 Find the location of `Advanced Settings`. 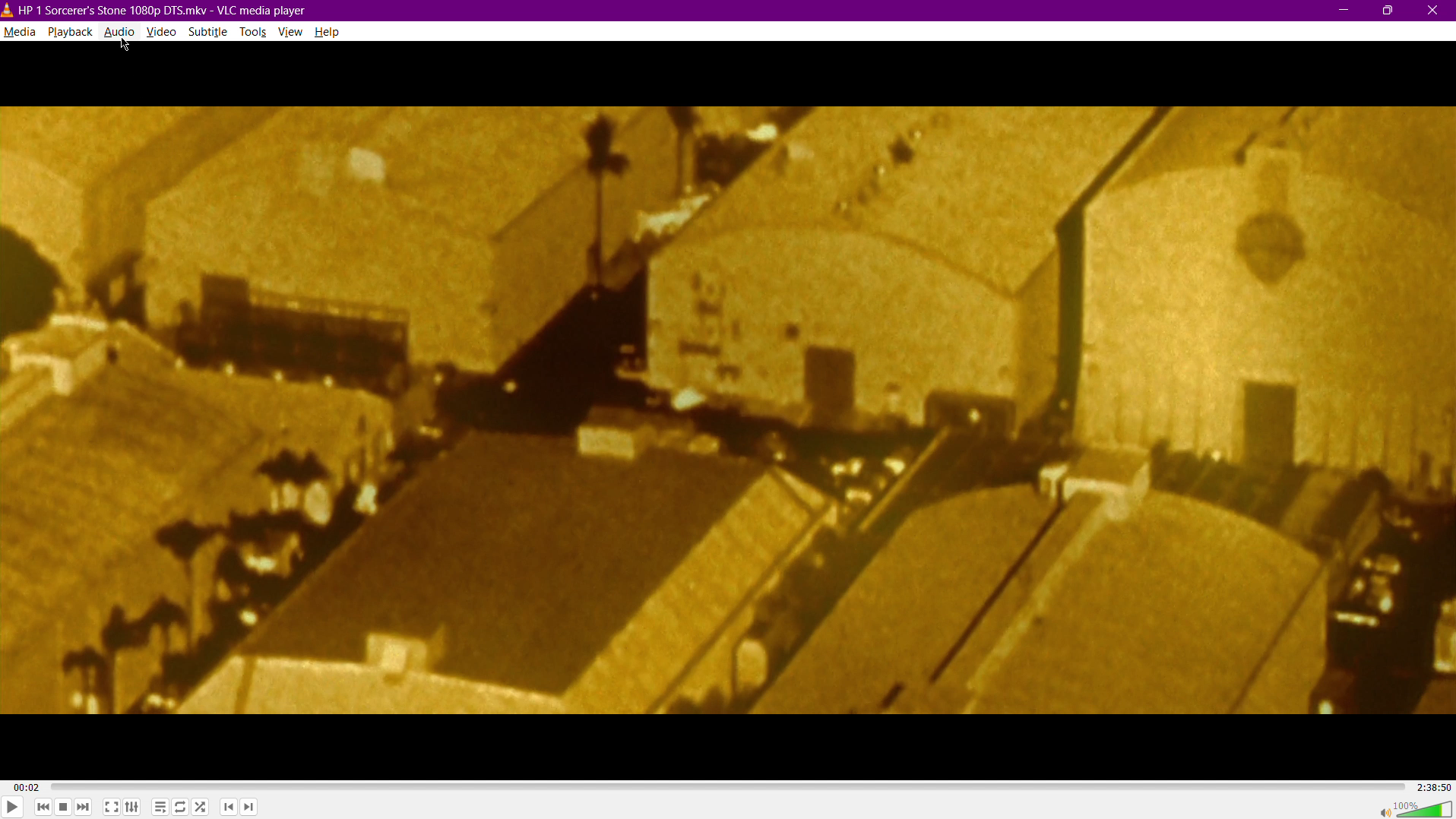

Advanced Settings is located at coordinates (133, 808).